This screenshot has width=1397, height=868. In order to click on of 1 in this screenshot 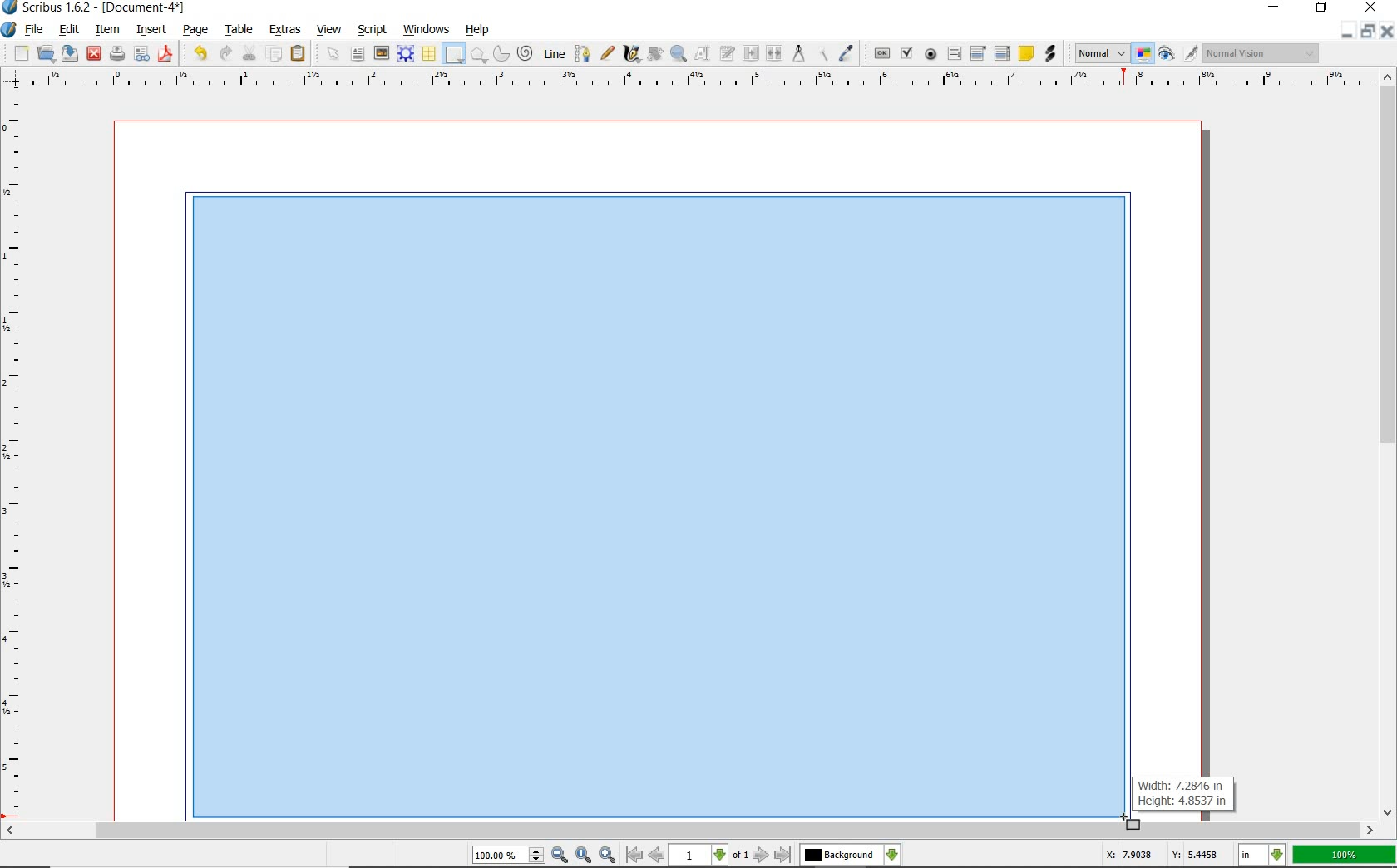, I will do `click(742, 856)`.